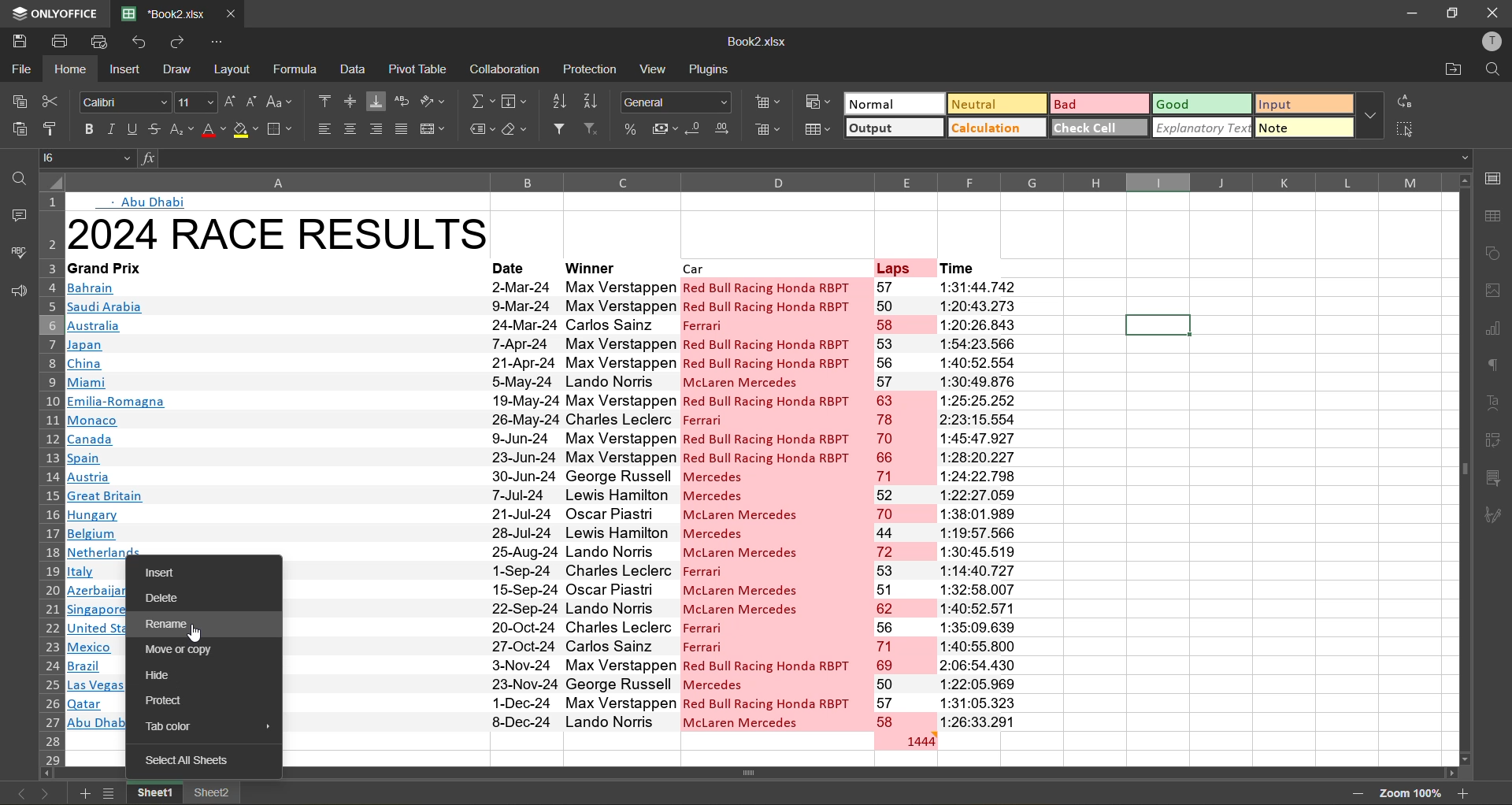  Describe the element at coordinates (375, 130) in the screenshot. I see `align right` at that location.